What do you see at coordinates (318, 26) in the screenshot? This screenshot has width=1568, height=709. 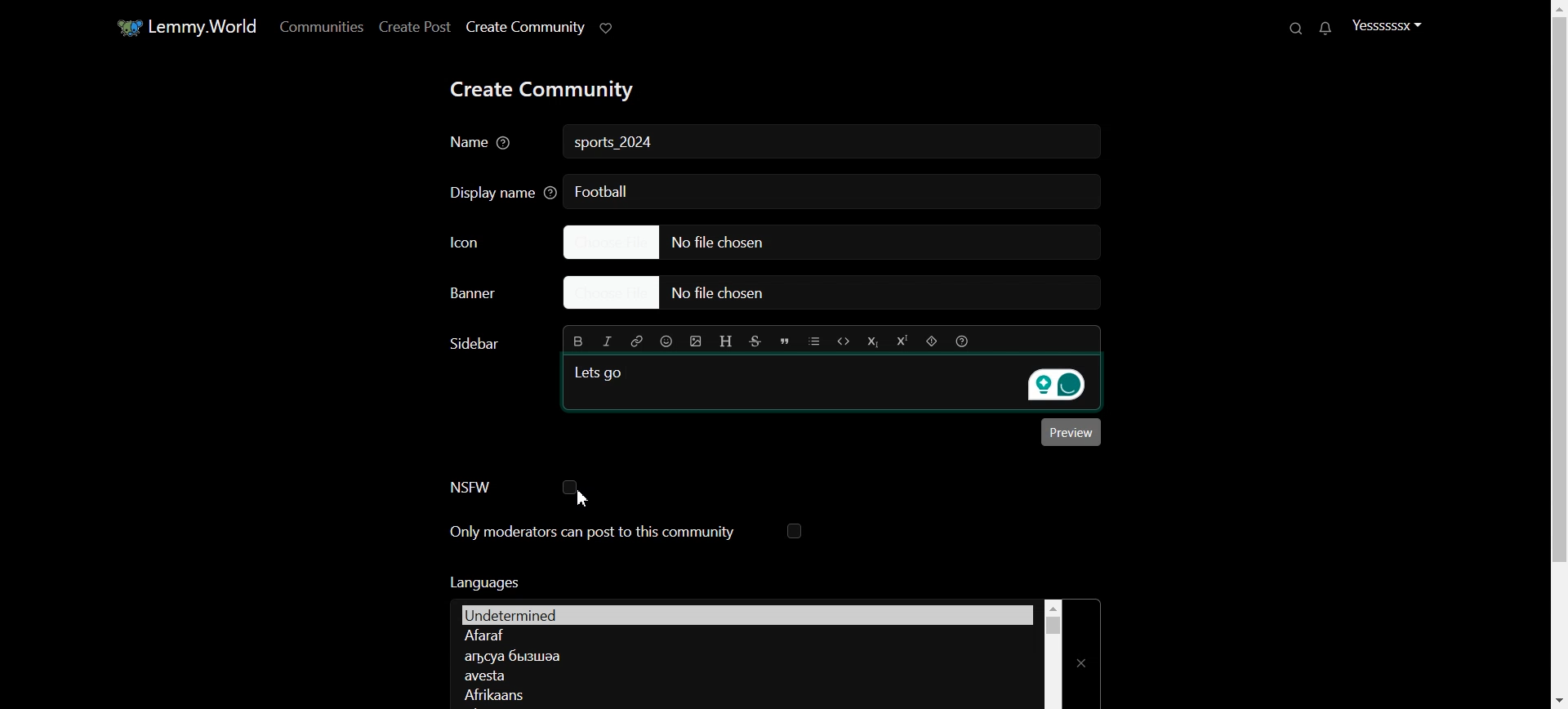 I see `Communities` at bounding box center [318, 26].